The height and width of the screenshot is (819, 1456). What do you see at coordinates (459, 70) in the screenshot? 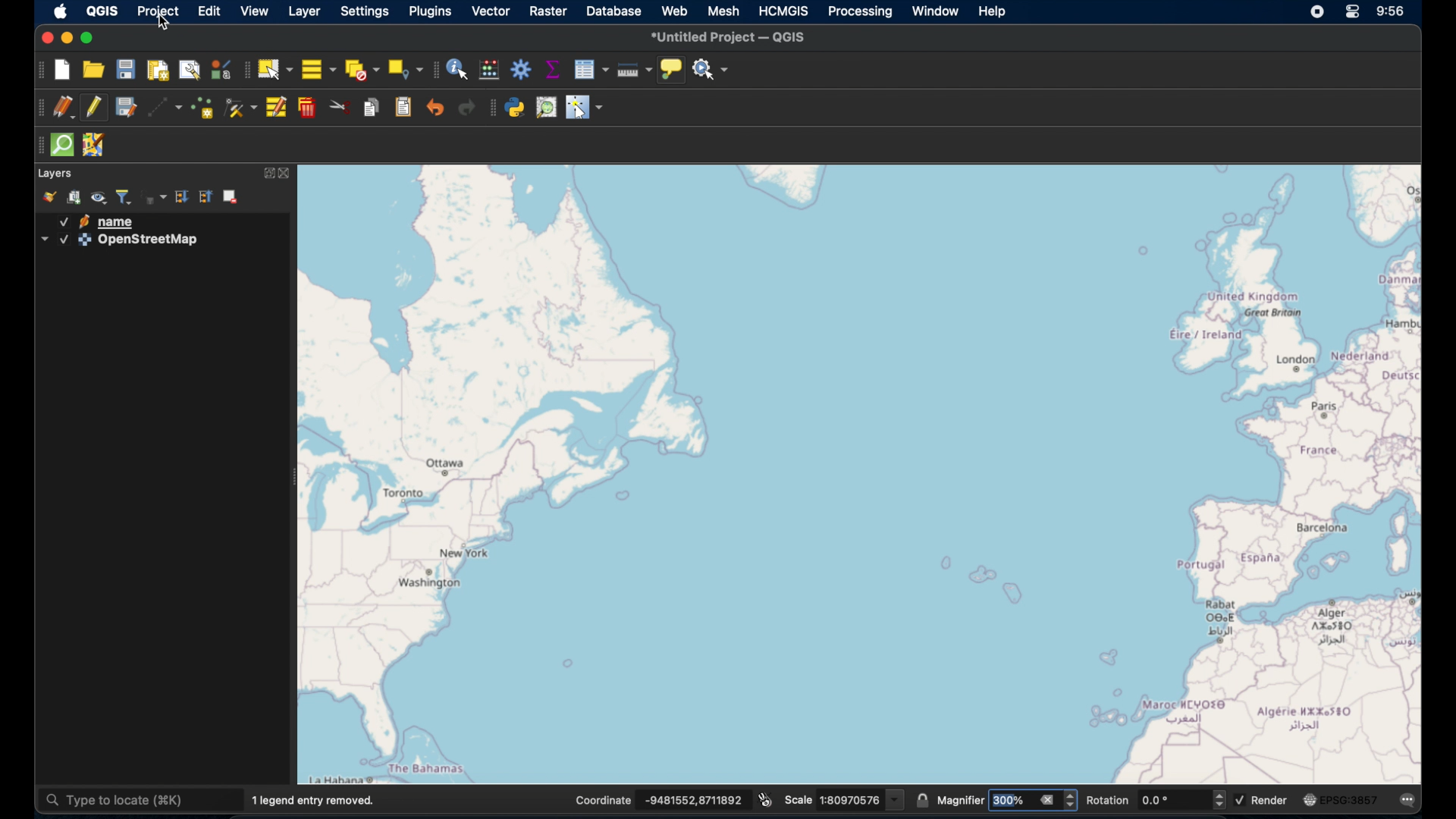
I see `identify features` at bounding box center [459, 70].